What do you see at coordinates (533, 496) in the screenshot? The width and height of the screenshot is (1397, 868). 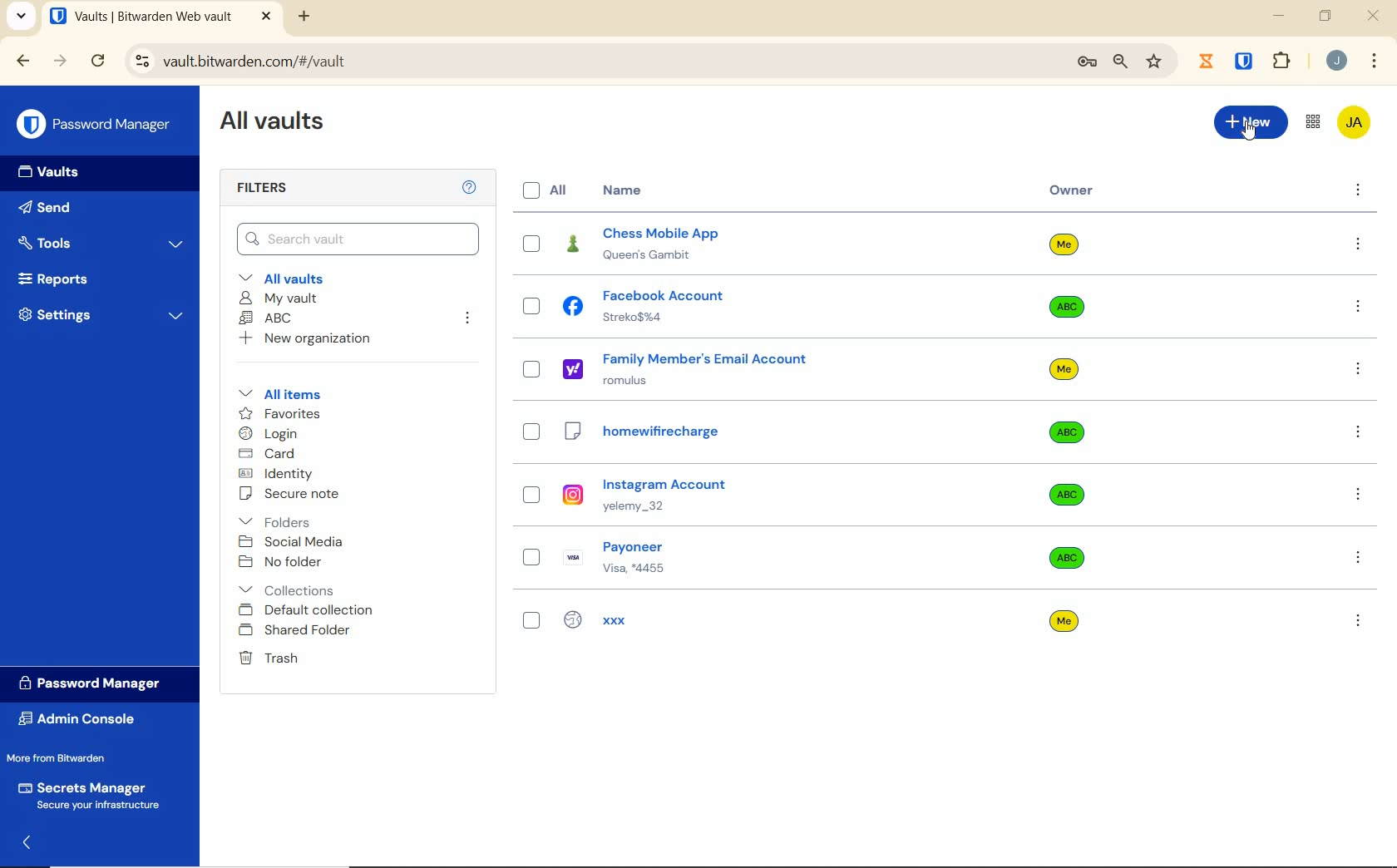 I see `checkbox` at bounding box center [533, 496].